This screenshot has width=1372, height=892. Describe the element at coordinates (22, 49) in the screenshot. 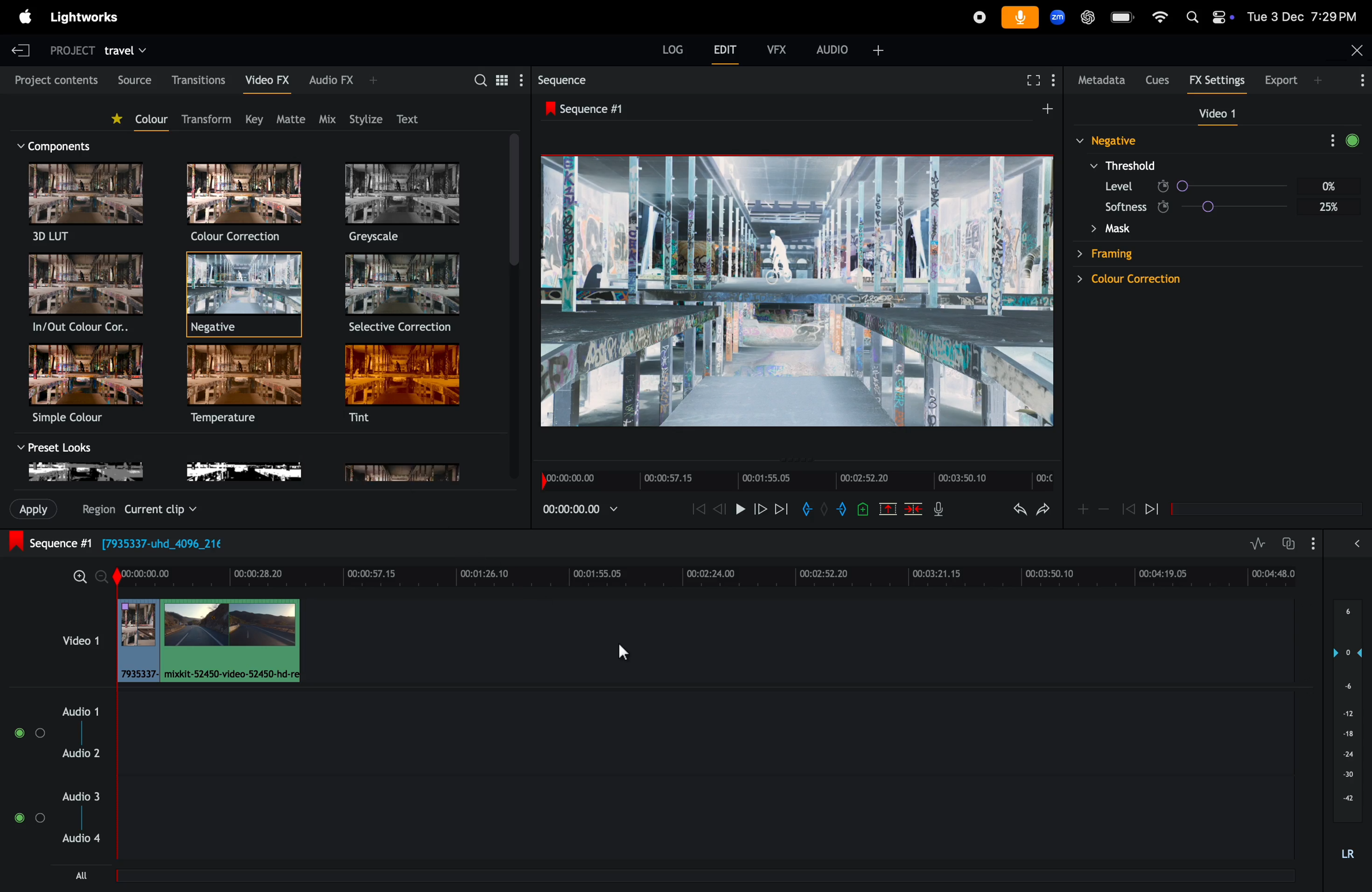

I see `exit` at that location.